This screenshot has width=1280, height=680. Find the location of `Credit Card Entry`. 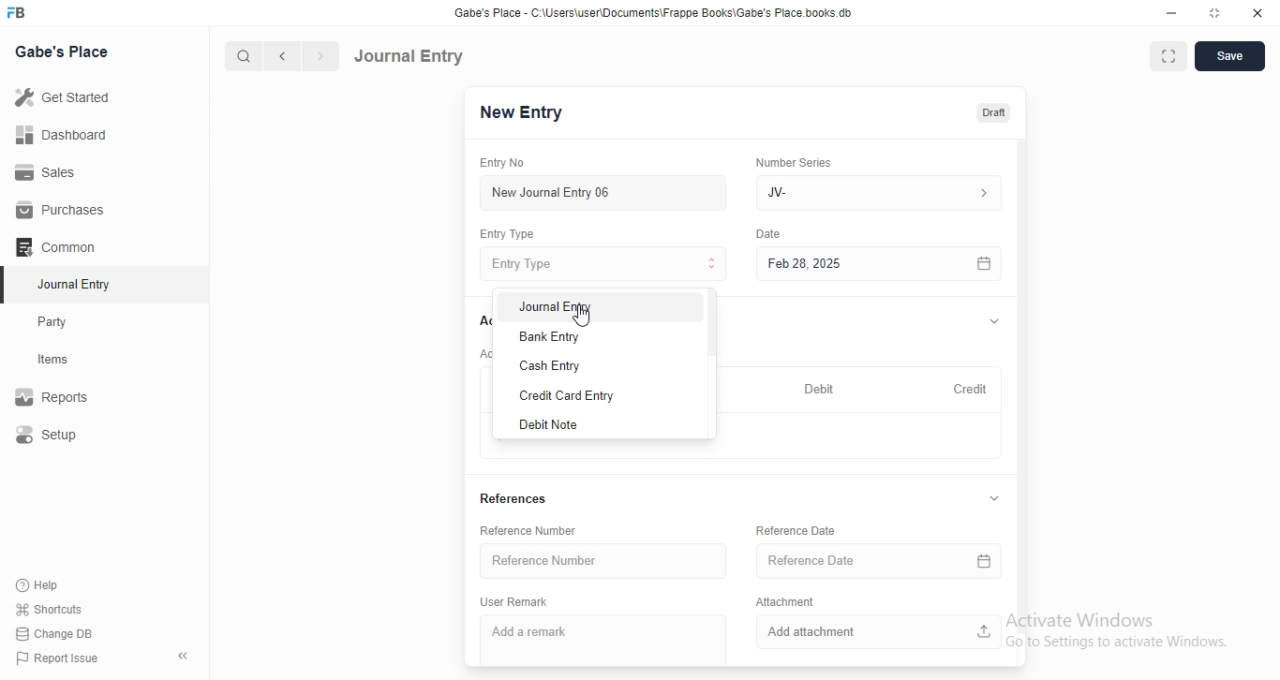

Credit Card Entry is located at coordinates (610, 395).